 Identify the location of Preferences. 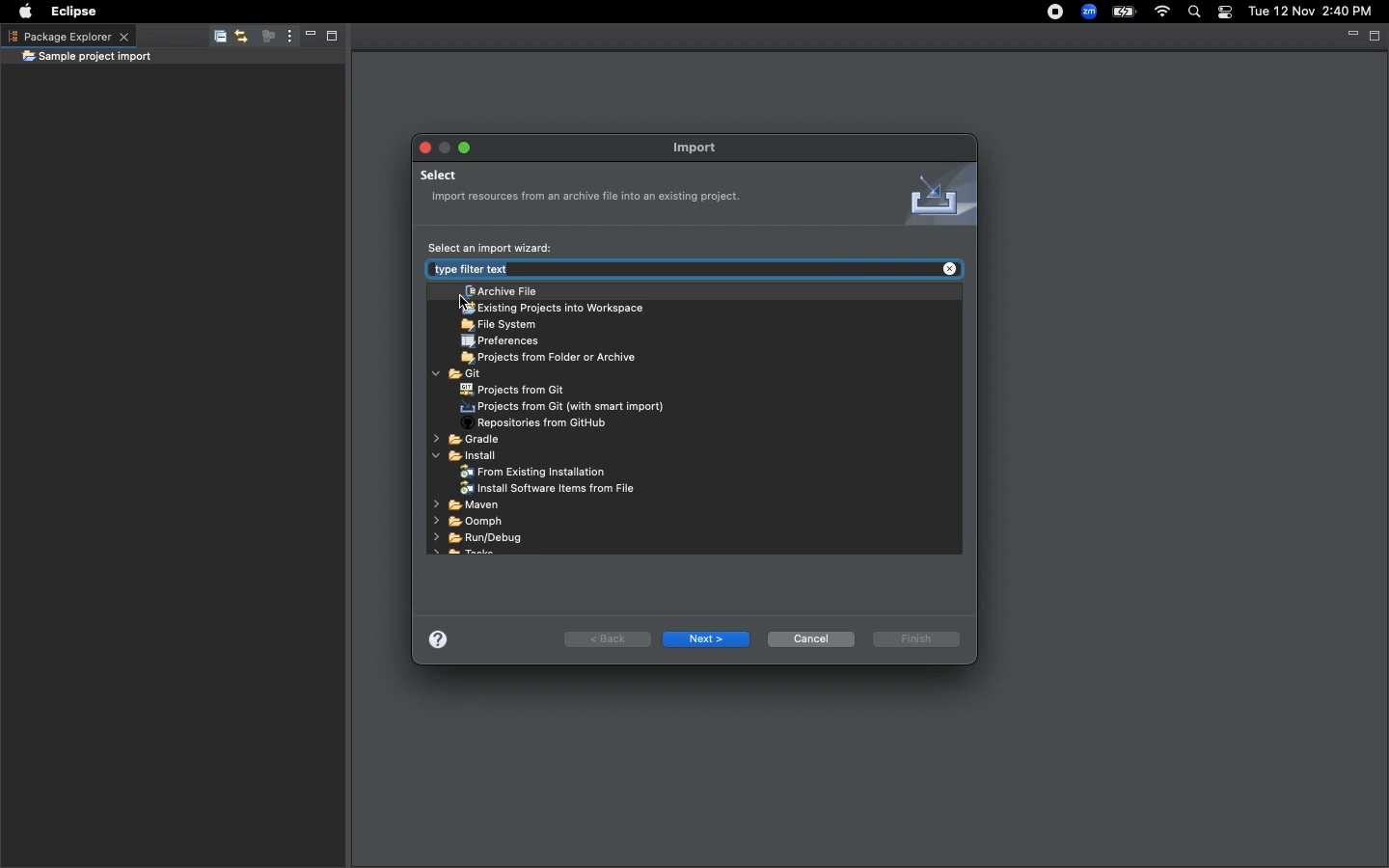
(503, 341).